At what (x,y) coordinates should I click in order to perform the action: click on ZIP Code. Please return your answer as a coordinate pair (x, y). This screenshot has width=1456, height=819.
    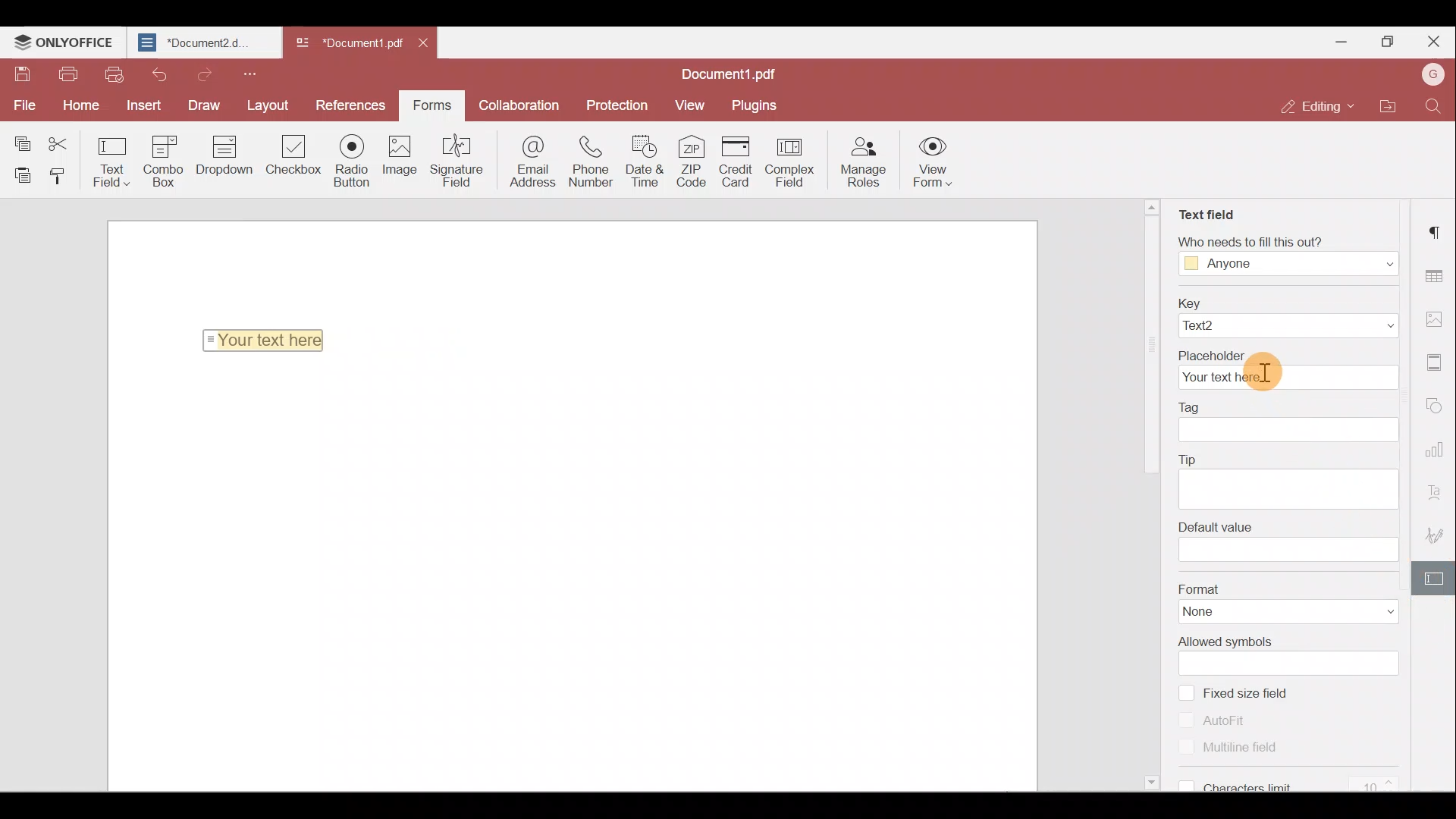
    Looking at the image, I should click on (692, 164).